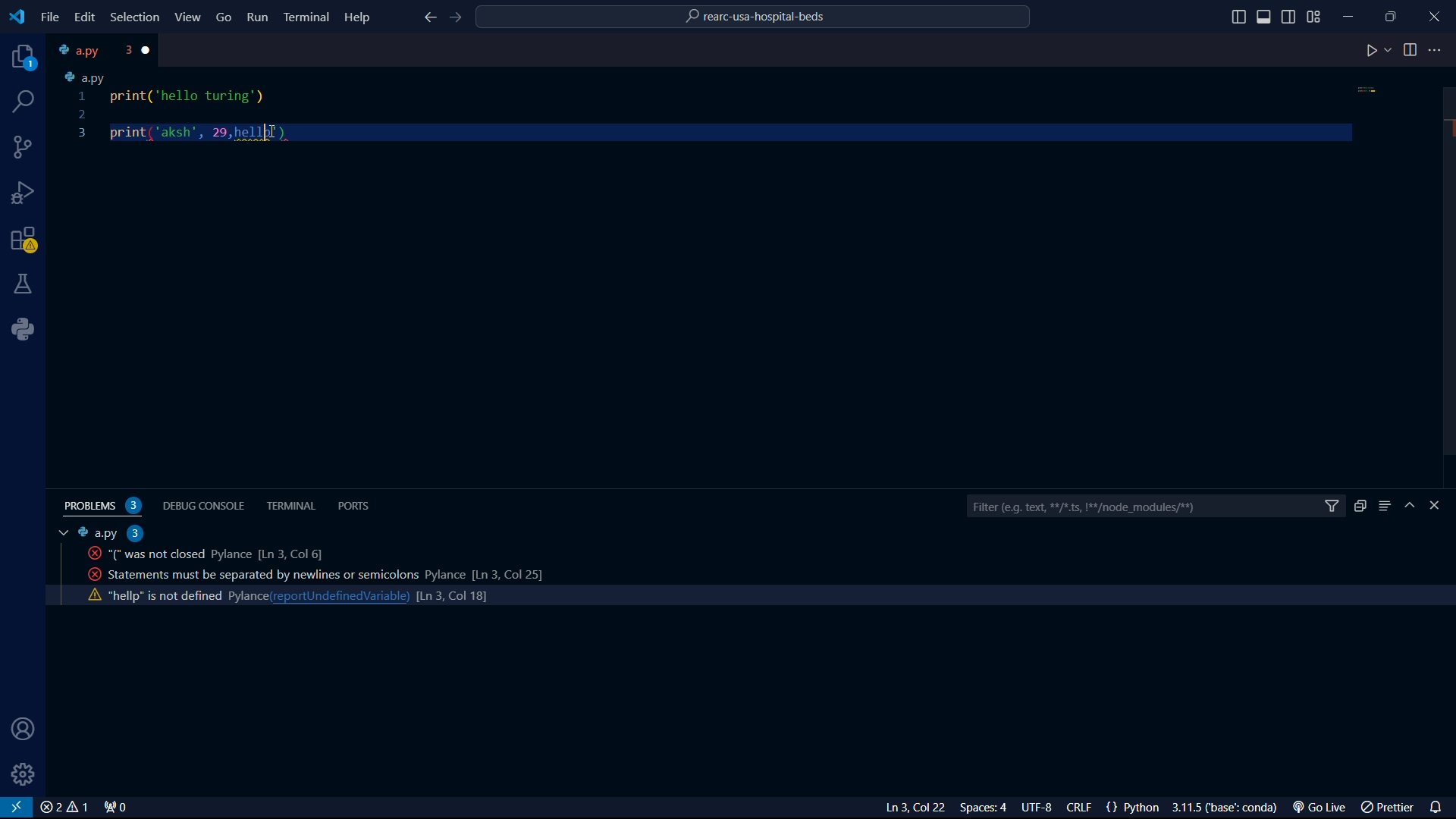 The height and width of the screenshot is (819, 1456). Describe the element at coordinates (306, 16) in the screenshot. I see `Terminal` at that location.